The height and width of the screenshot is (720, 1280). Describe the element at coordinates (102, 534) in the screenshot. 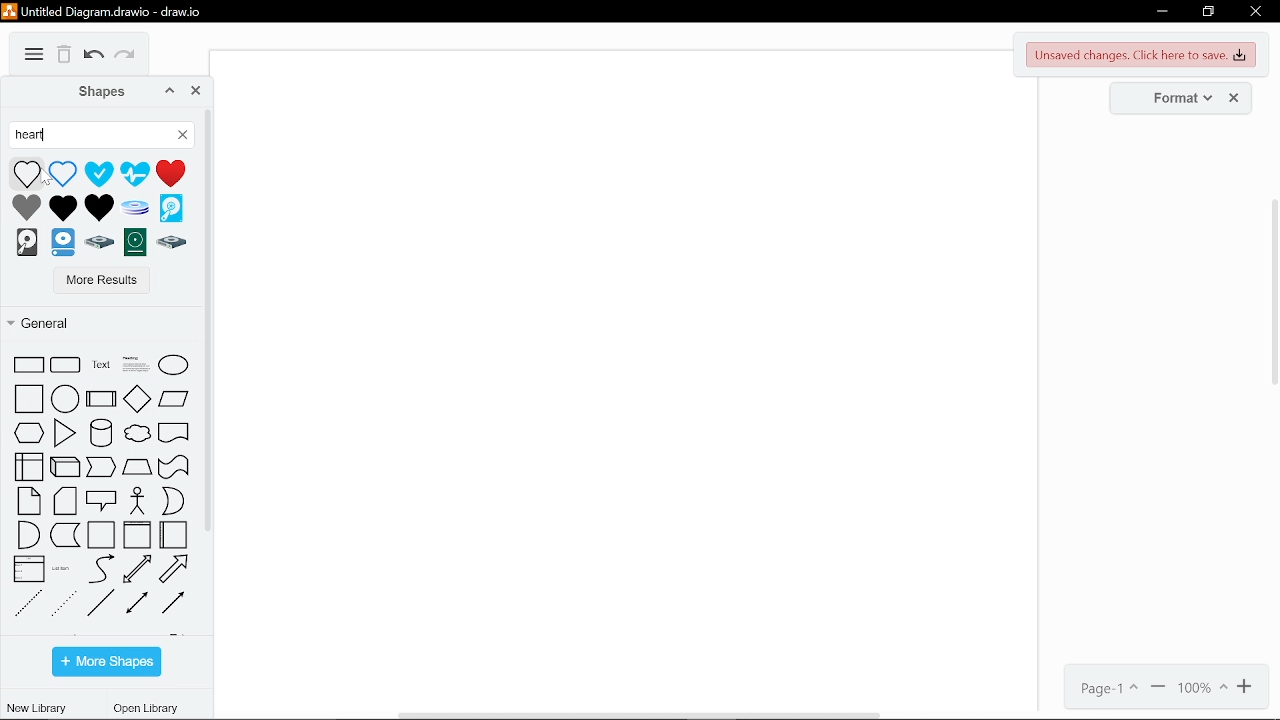

I see `container` at that location.